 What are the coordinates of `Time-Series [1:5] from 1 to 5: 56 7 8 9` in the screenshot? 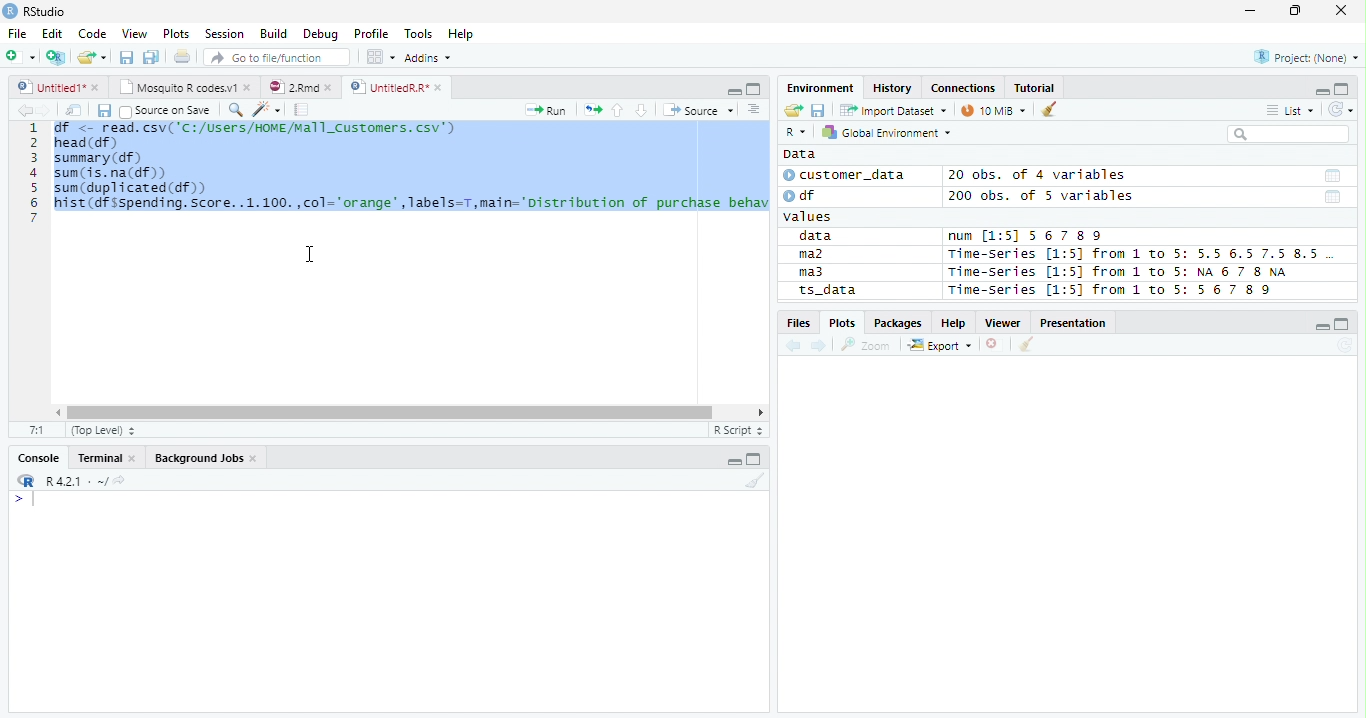 It's located at (1112, 290).